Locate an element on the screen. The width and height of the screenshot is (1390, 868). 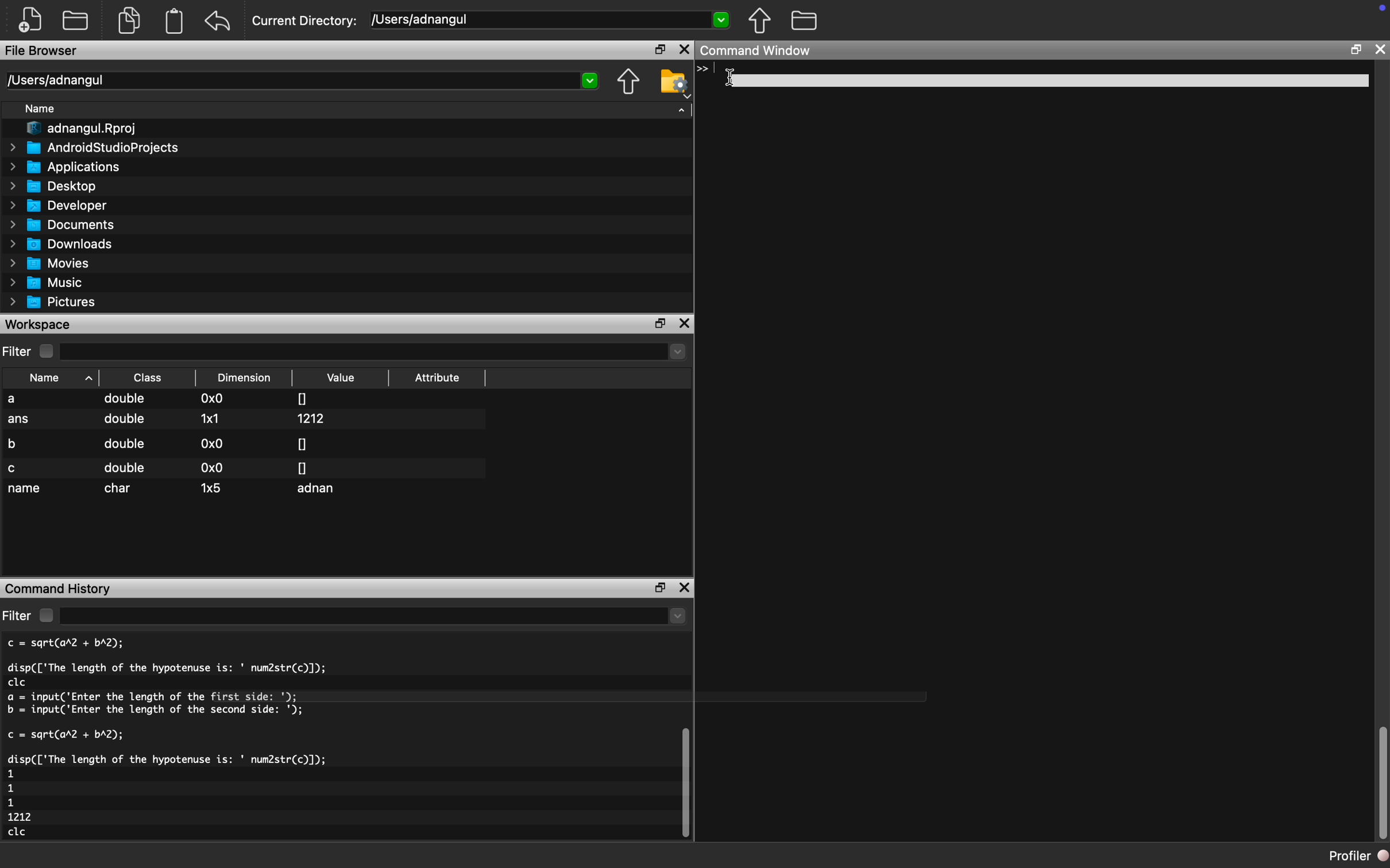
c is located at coordinates (14, 468).